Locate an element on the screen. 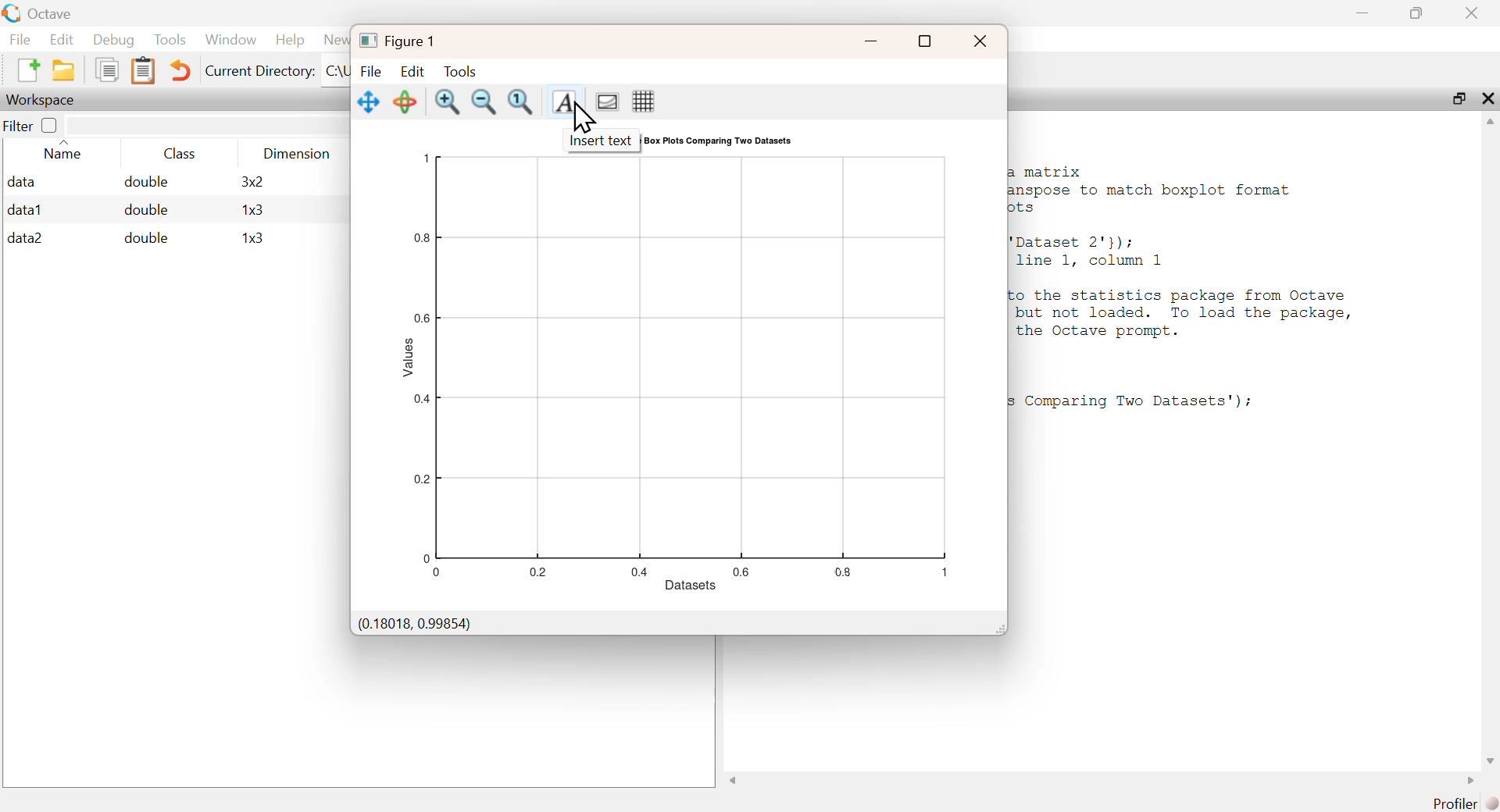 Image resolution: width=1500 pixels, height=812 pixels. News is located at coordinates (334, 40).